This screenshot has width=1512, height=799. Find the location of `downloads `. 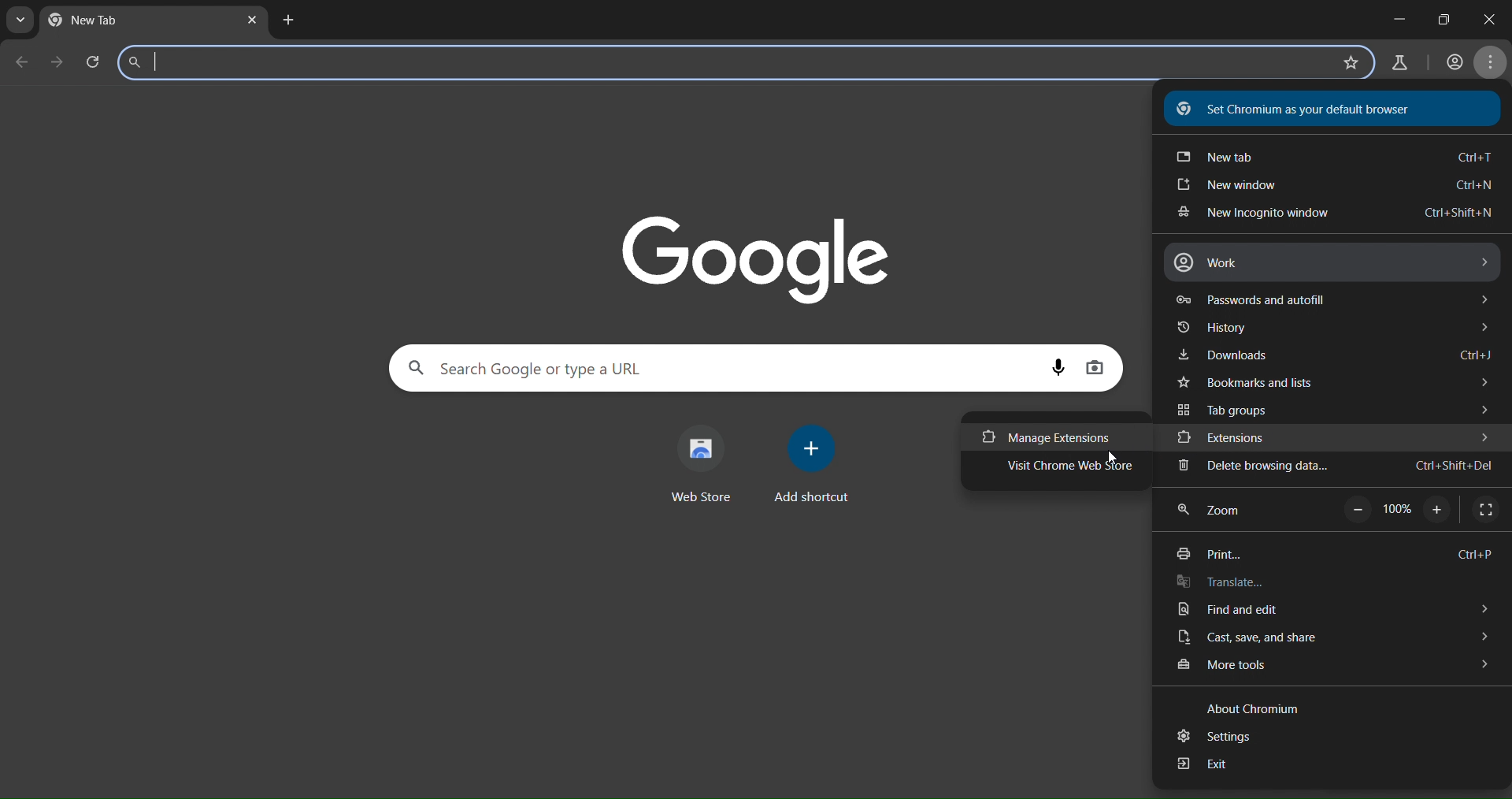

downloads  is located at coordinates (1333, 355).